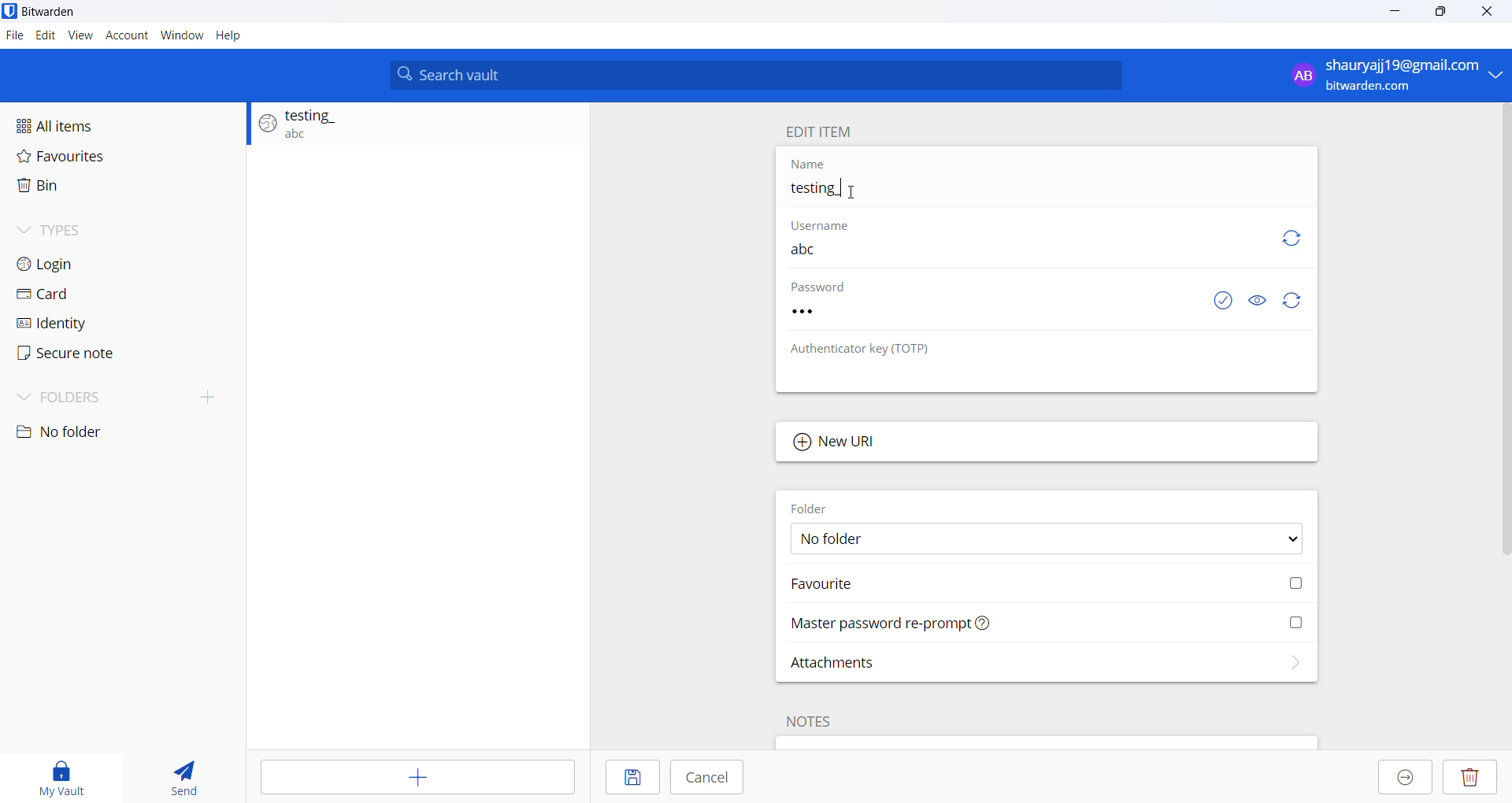  Describe the element at coordinates (708, 779) in the screenshot. I see `Cancel` at that location.